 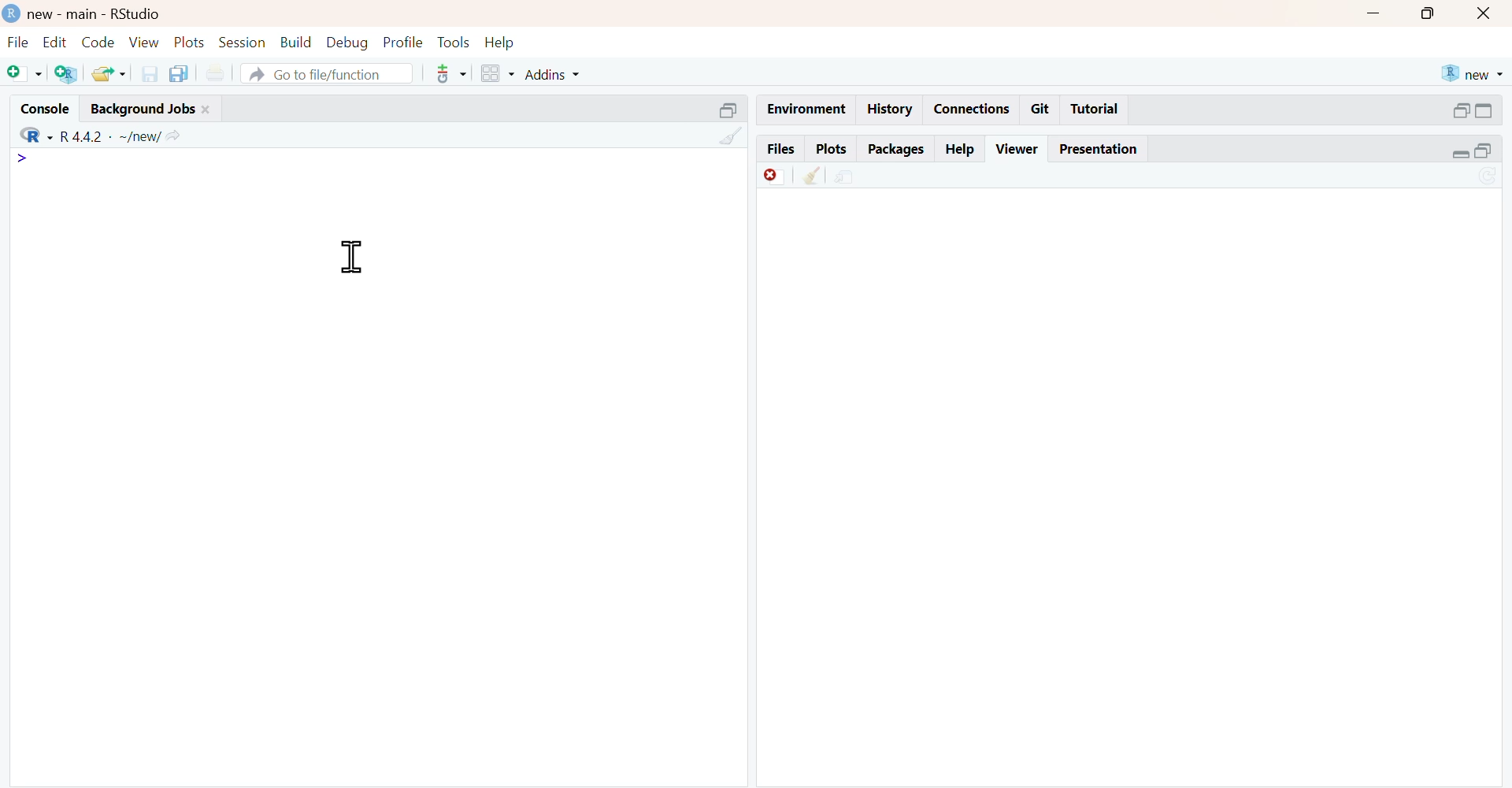 I want to click on console, so click(x=46, y=109).